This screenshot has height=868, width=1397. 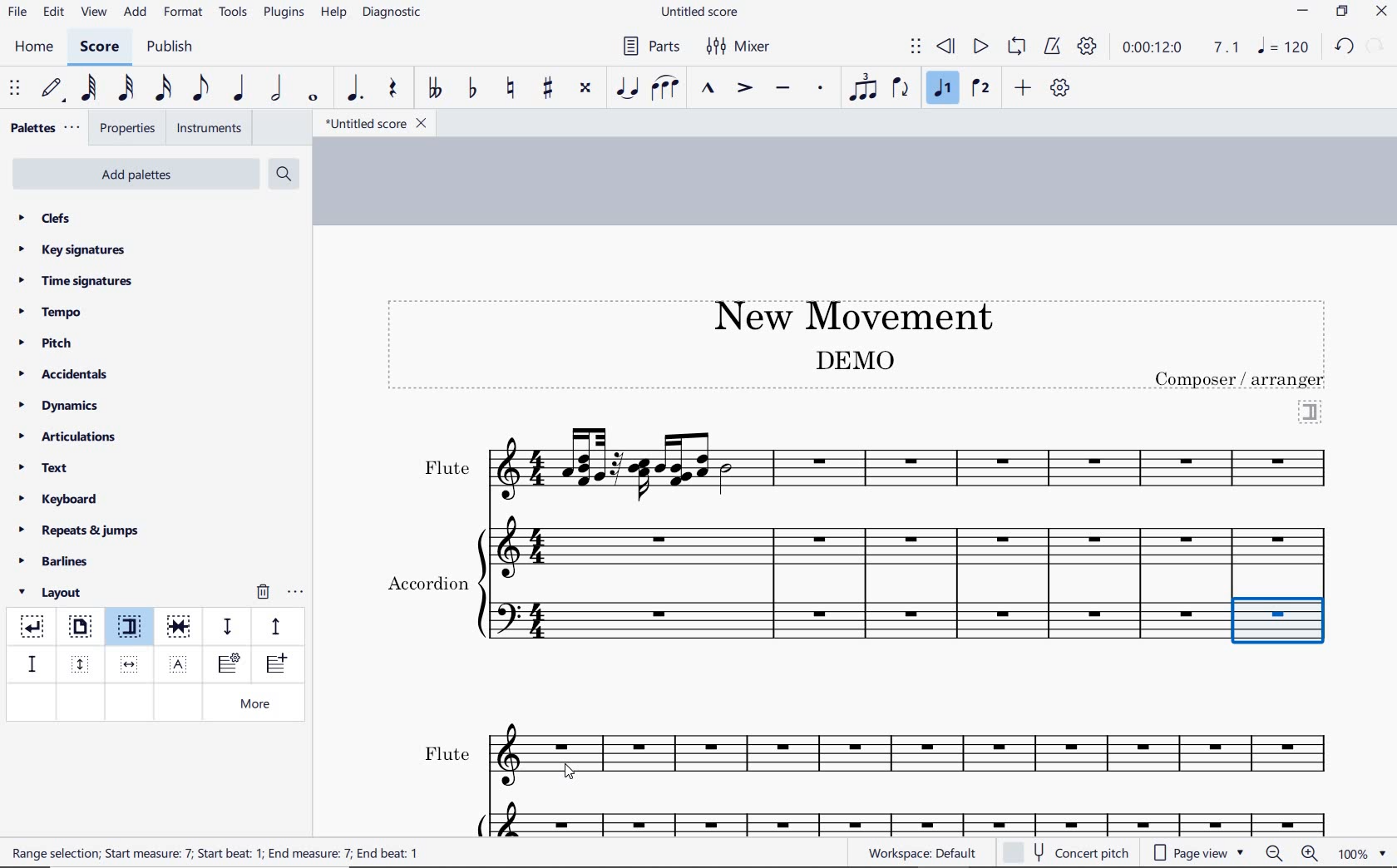 What do you see at coordinates (1025, 87) in the screenshot?
I see `add` at bounding box center [1025, 87].